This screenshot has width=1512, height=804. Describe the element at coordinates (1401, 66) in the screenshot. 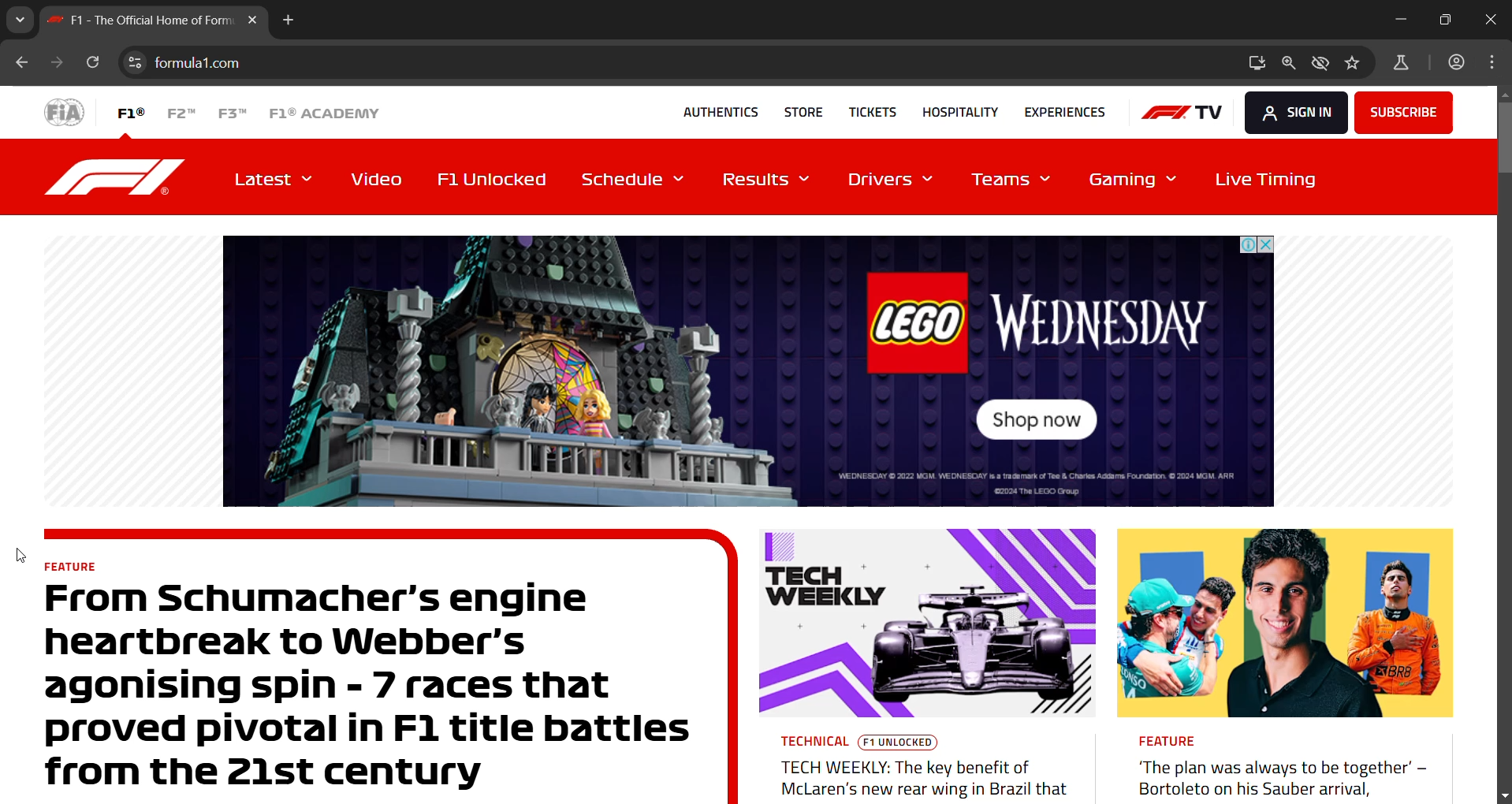

I see `chrome labs` at that location.